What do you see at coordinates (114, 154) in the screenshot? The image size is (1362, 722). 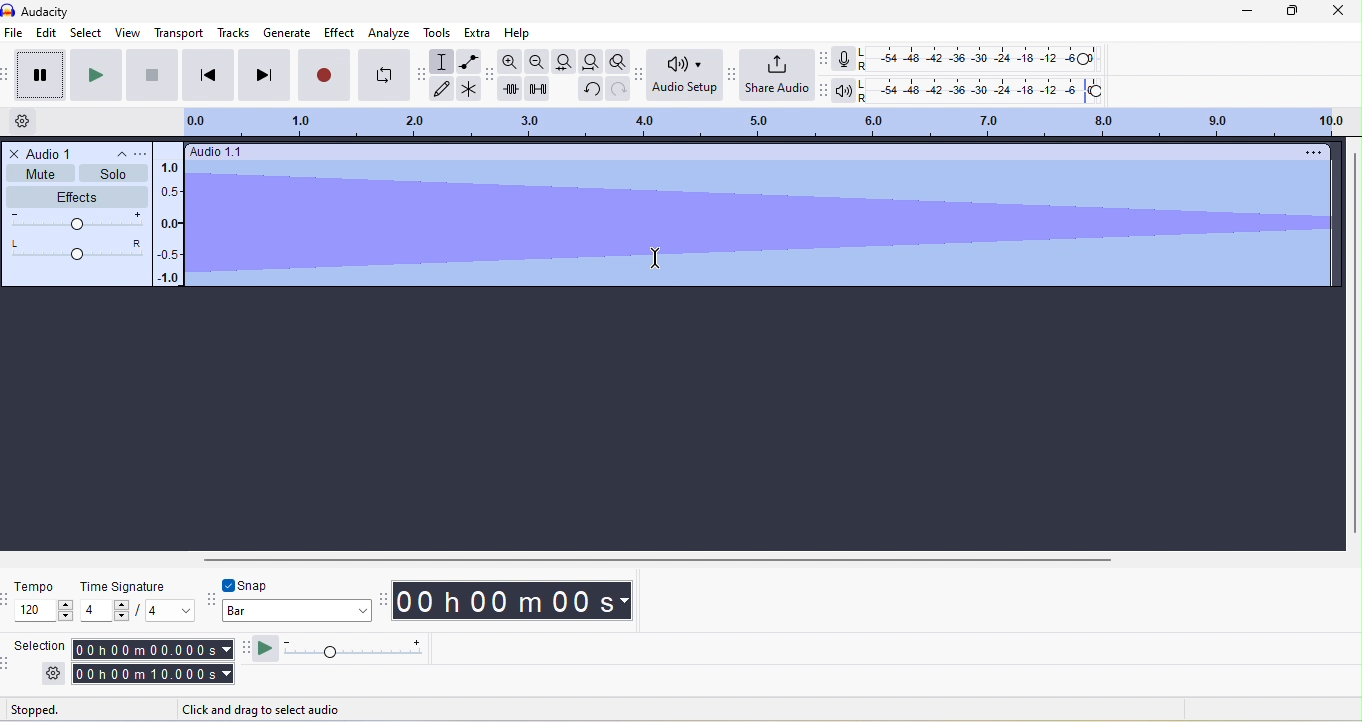 I see `collapse` at bounding box center [114, 154].